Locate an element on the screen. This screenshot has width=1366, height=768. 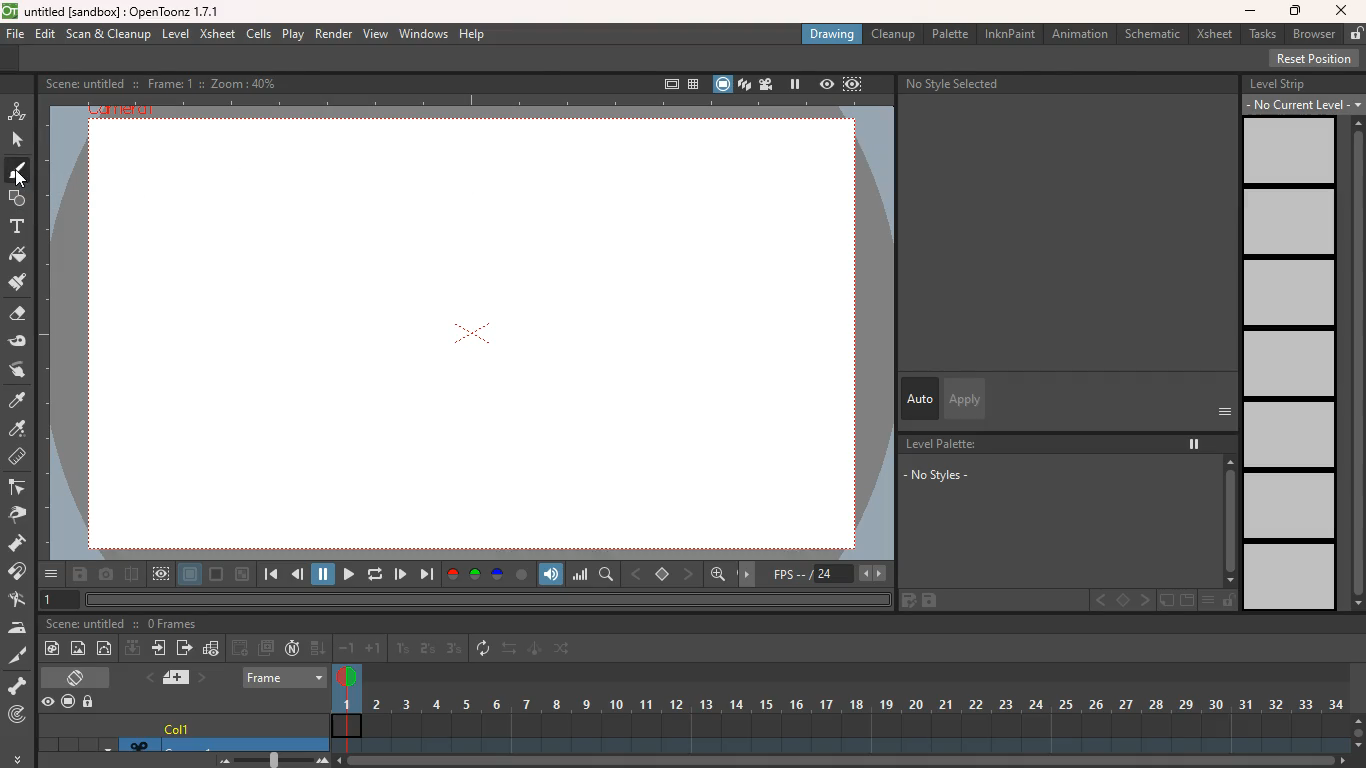
canvas is located at coordinates (475, 336).